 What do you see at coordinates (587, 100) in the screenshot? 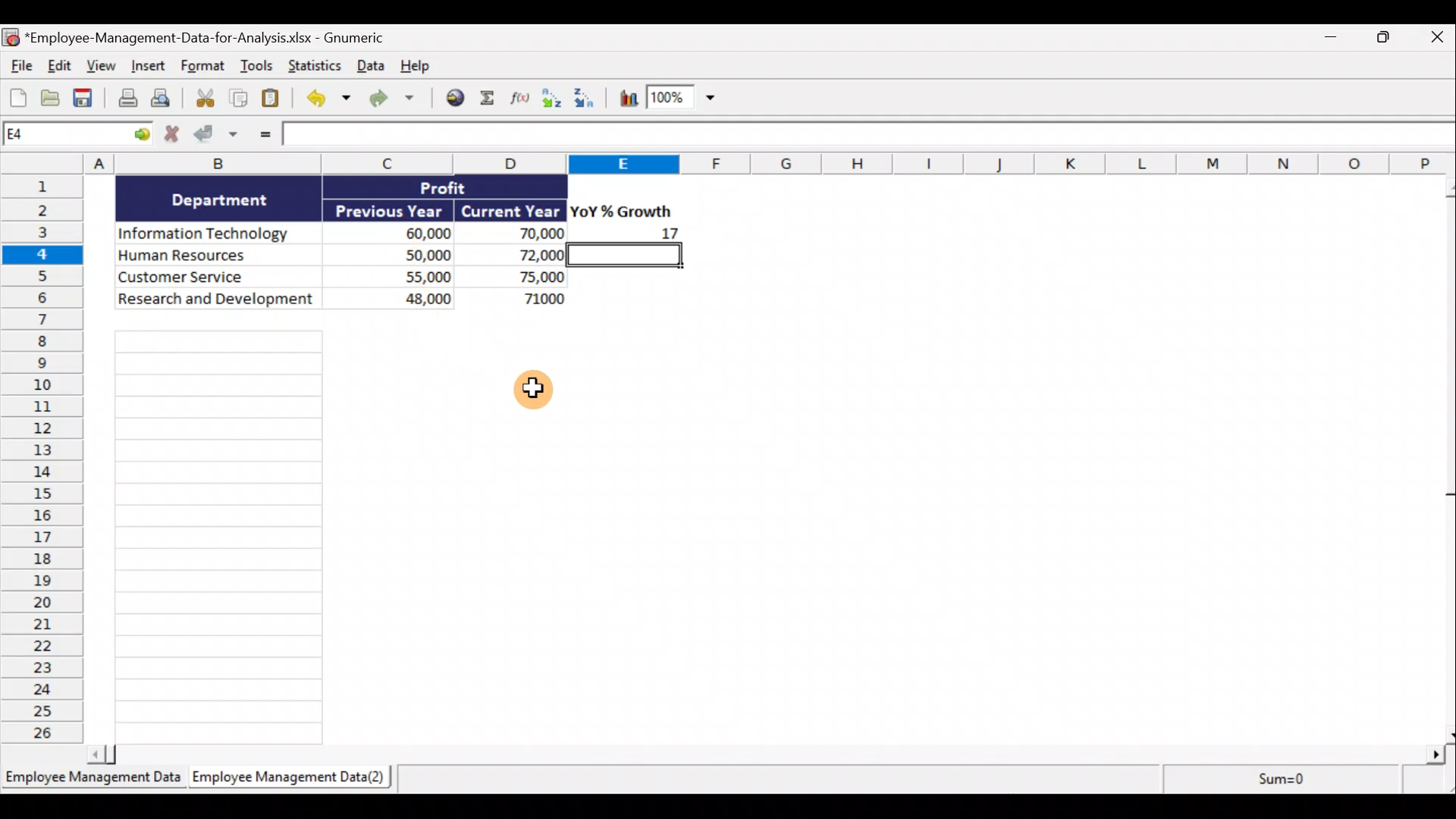
I see `Sort Descending` at bounding box center [587, 100].